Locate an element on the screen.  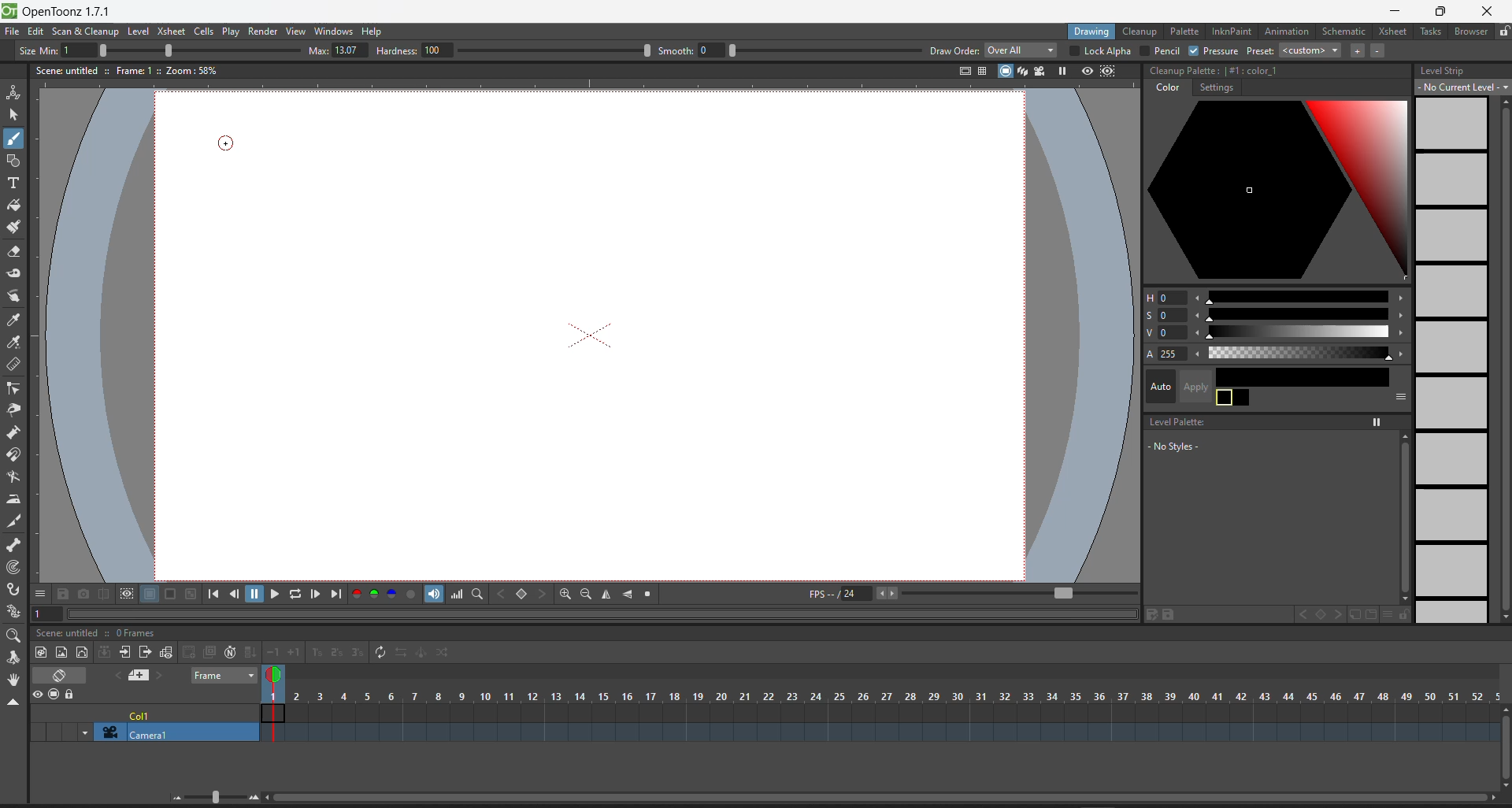
frames per second is located at coordinates (841, 592).